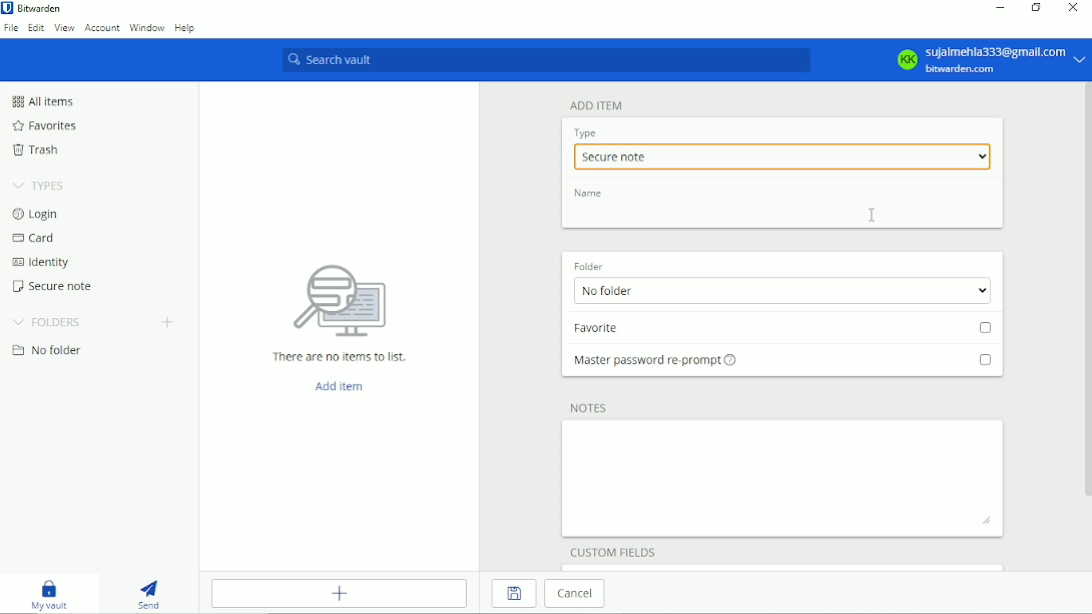 The image size is (1092, 614). What do you see at coordinates (44, 126) in the screenshot?
I see `Favorites` at bounding box center [44, 126].